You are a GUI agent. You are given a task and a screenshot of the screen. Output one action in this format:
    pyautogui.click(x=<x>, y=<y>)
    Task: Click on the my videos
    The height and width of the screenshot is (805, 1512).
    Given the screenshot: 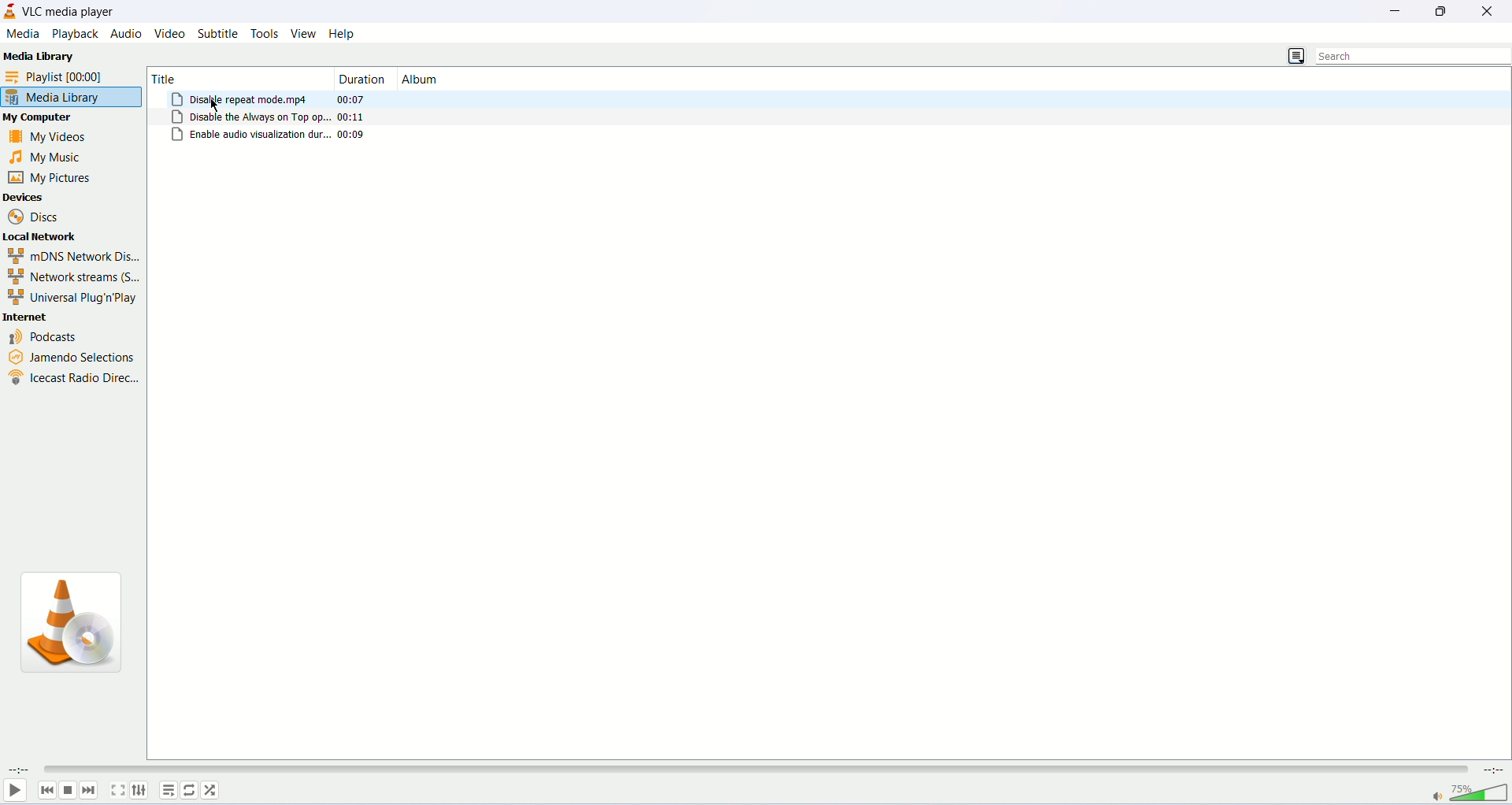 What is the action you would take?
    pyautogui.click(x=61, y=135)
    